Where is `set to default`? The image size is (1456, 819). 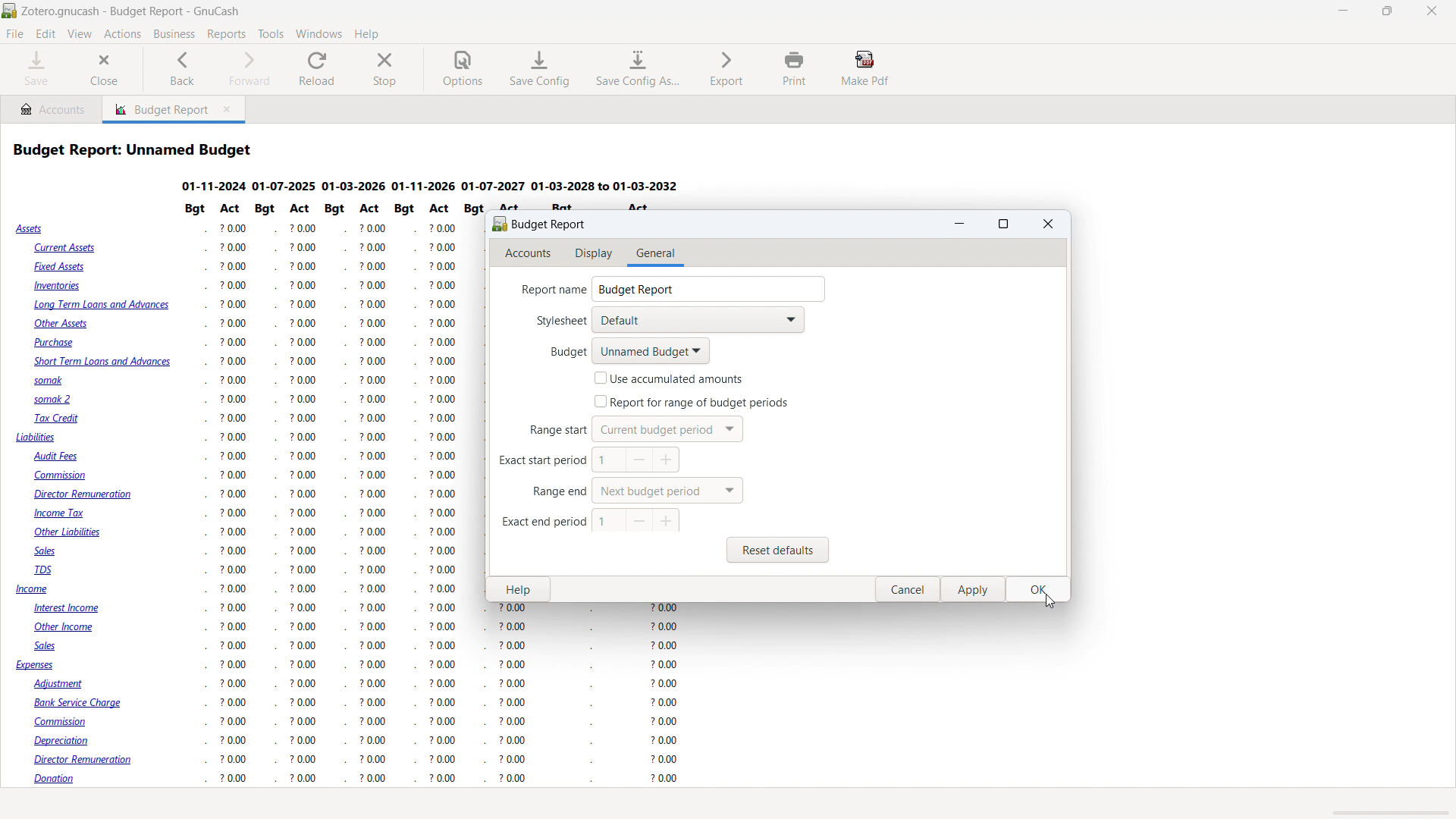
set to default is located at coordinates (667, 428).